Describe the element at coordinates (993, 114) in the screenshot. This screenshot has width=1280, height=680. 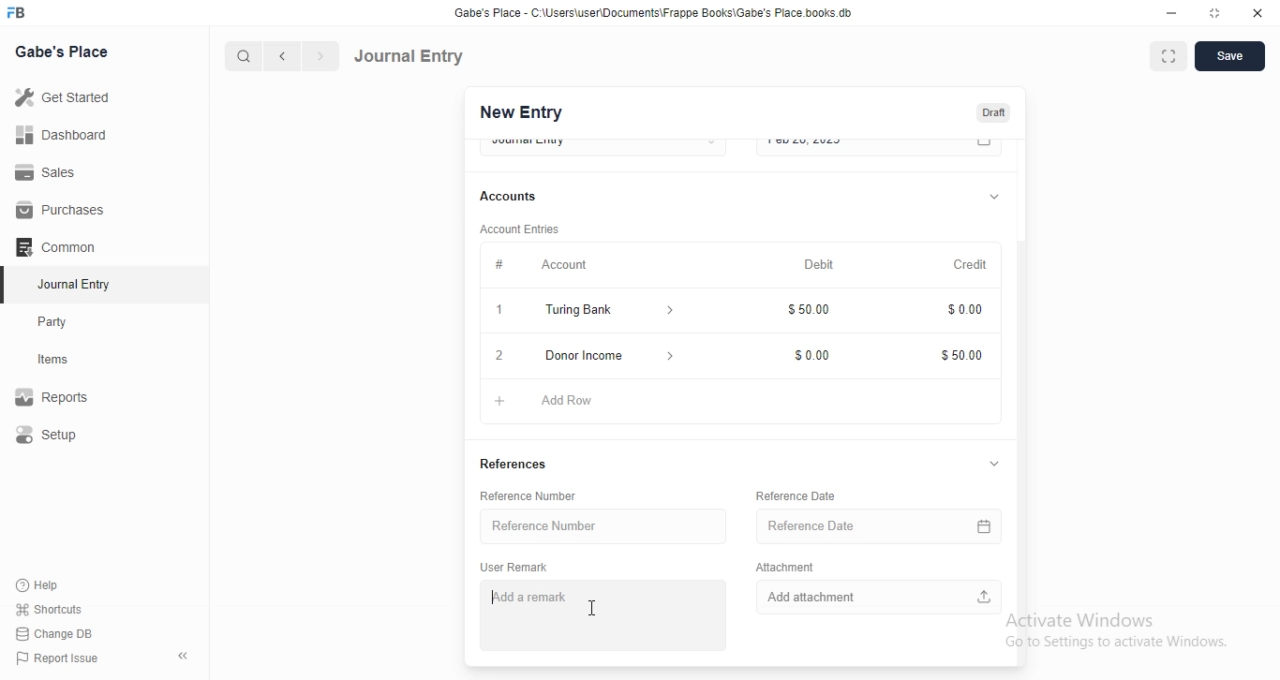
I see `draft` at that location.